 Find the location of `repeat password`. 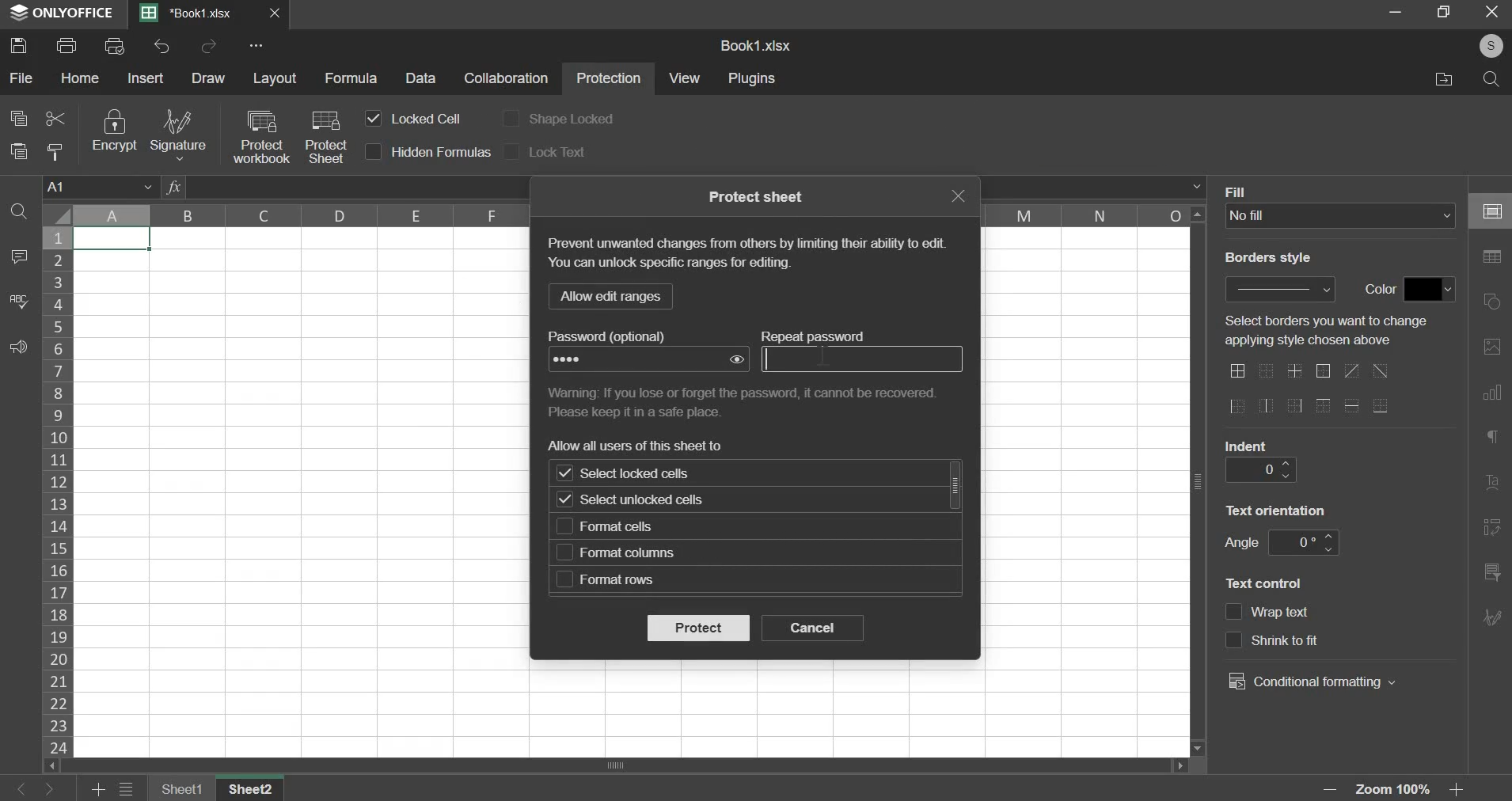

repeat password is located at coordinates (862, 359).